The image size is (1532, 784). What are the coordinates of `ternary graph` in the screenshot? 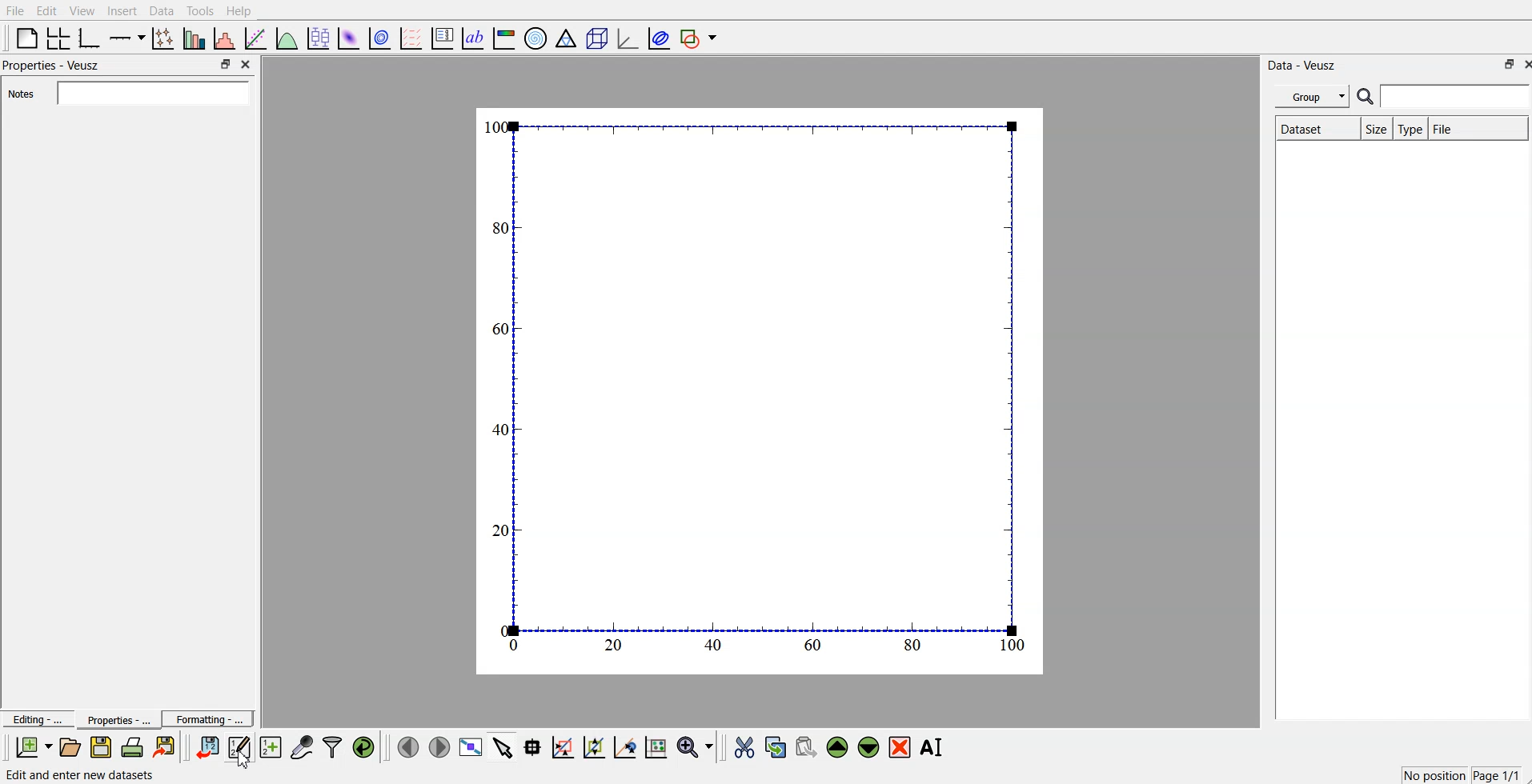 It's located at (567, 37).